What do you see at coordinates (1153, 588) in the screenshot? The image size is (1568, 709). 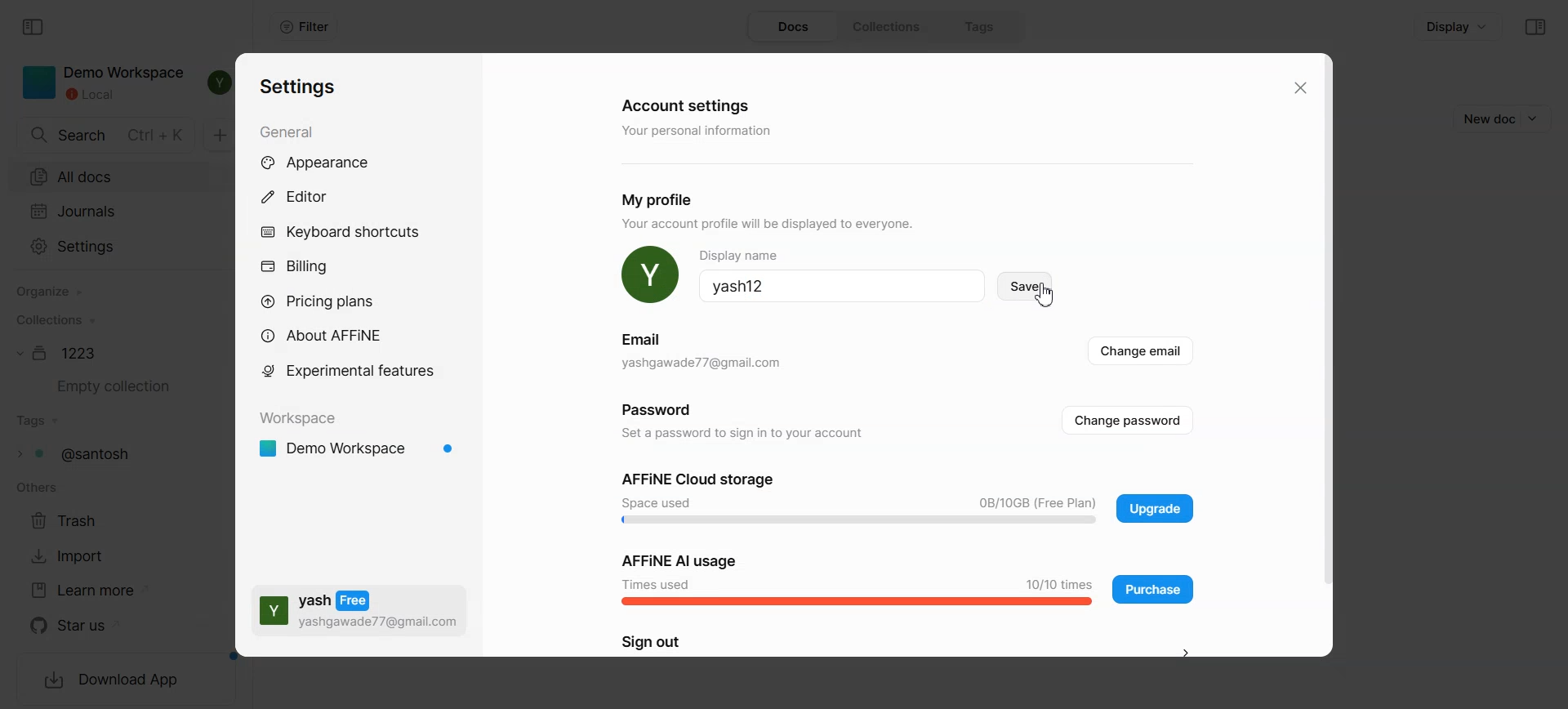 I see `Purchase application` at bounding box center [1153, 588].